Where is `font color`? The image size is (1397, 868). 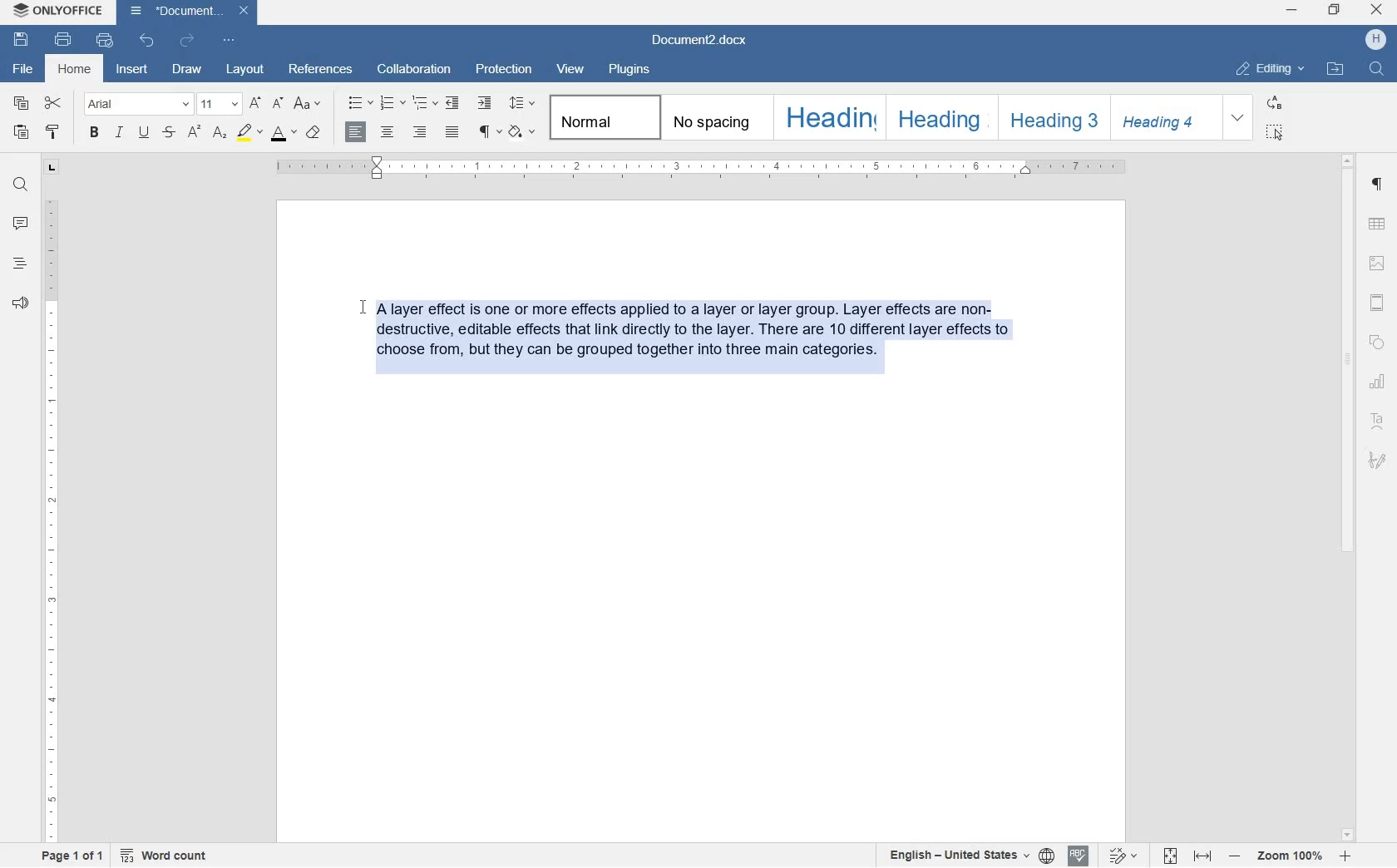 font color is located at coordinates (283, 134).